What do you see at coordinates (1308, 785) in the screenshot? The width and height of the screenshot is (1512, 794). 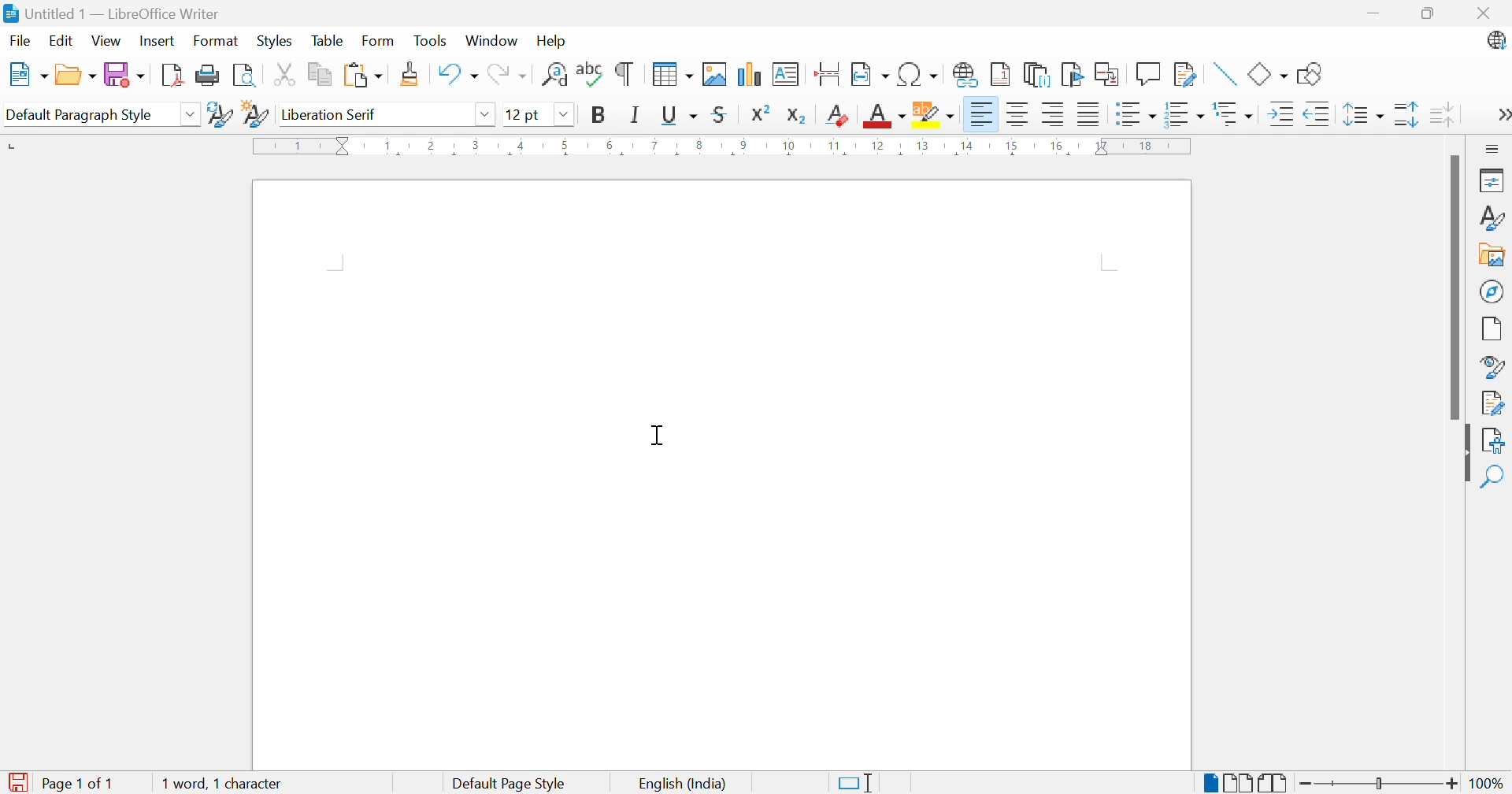 I see `Zoom out` at bounding box center [1308, 785].